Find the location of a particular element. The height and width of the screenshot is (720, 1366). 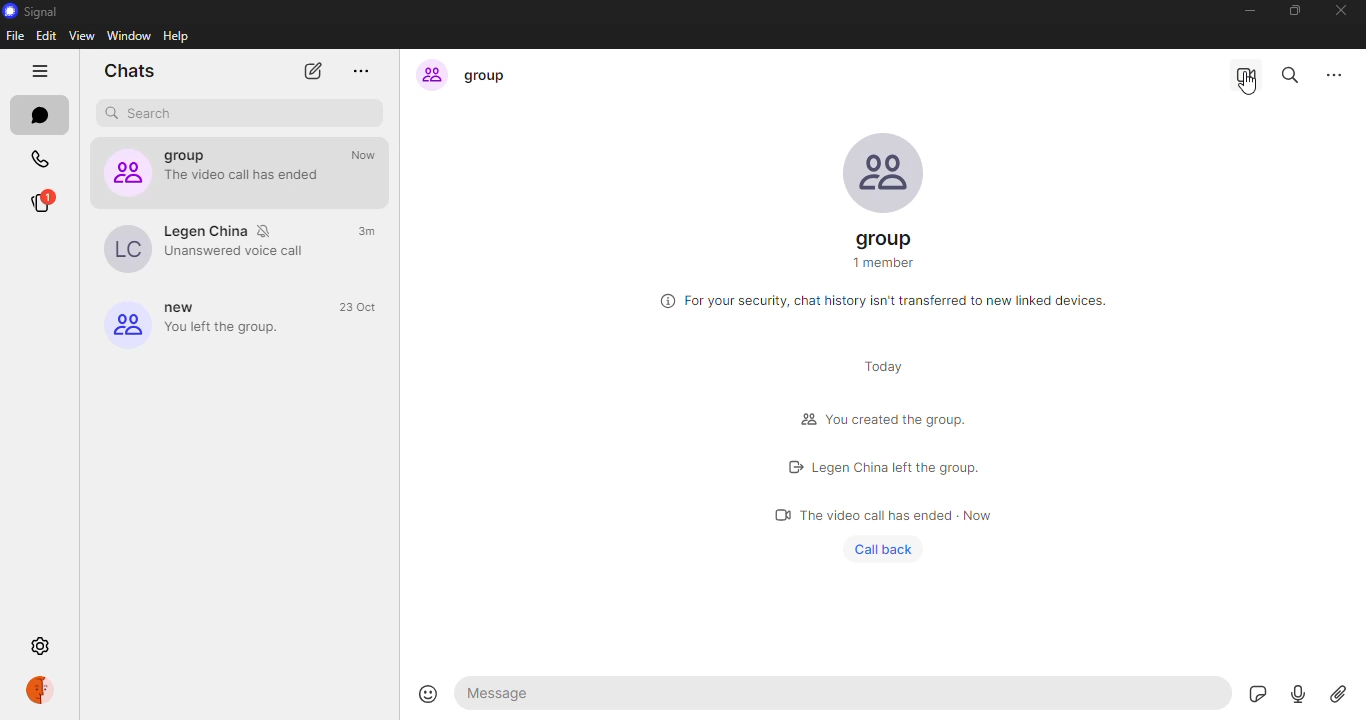

record is located at coordinates (1296, 695).